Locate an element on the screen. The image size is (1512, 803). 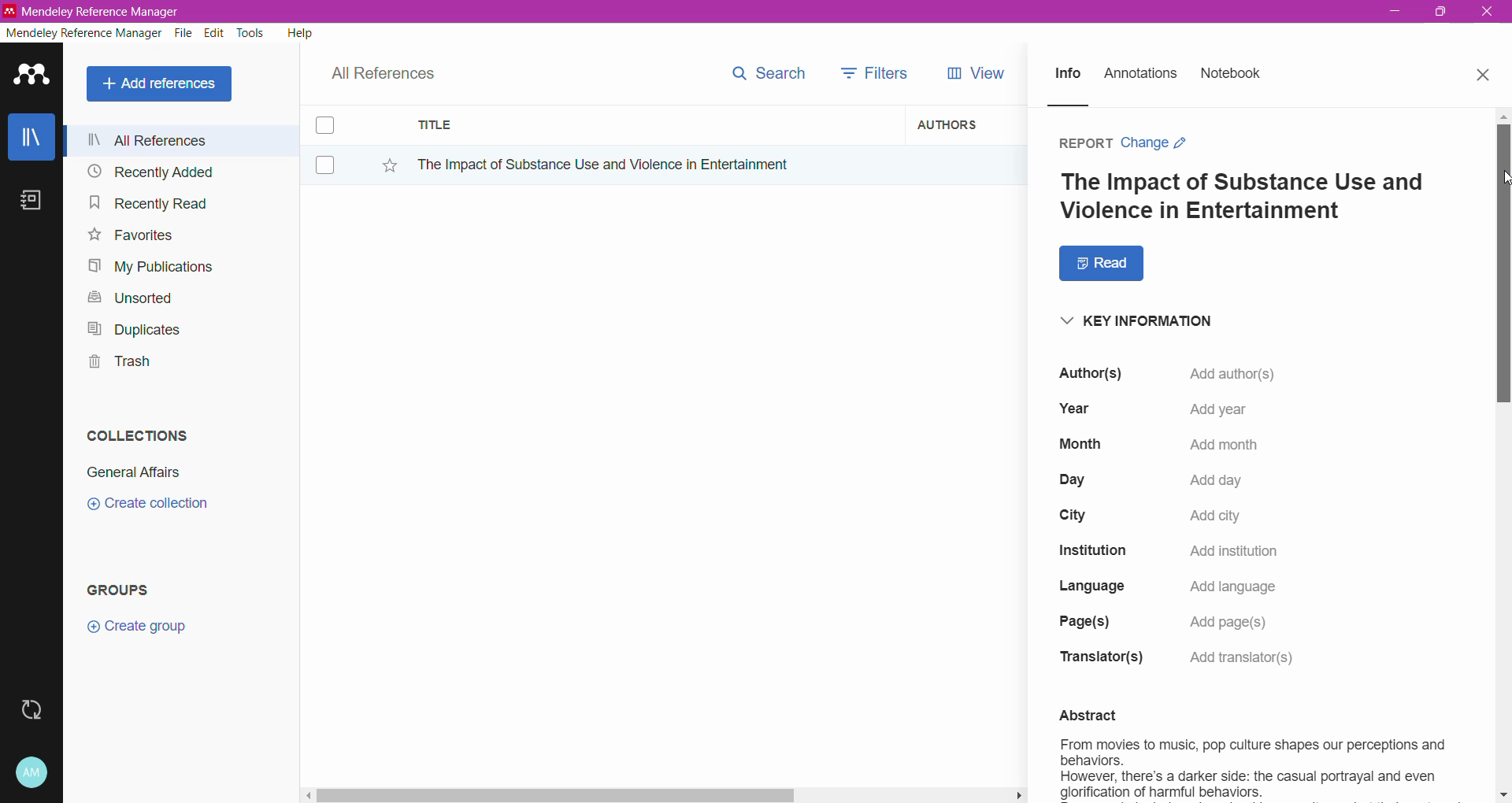
CLOSE SIDEBAR is located at coordinates (1484, 75).